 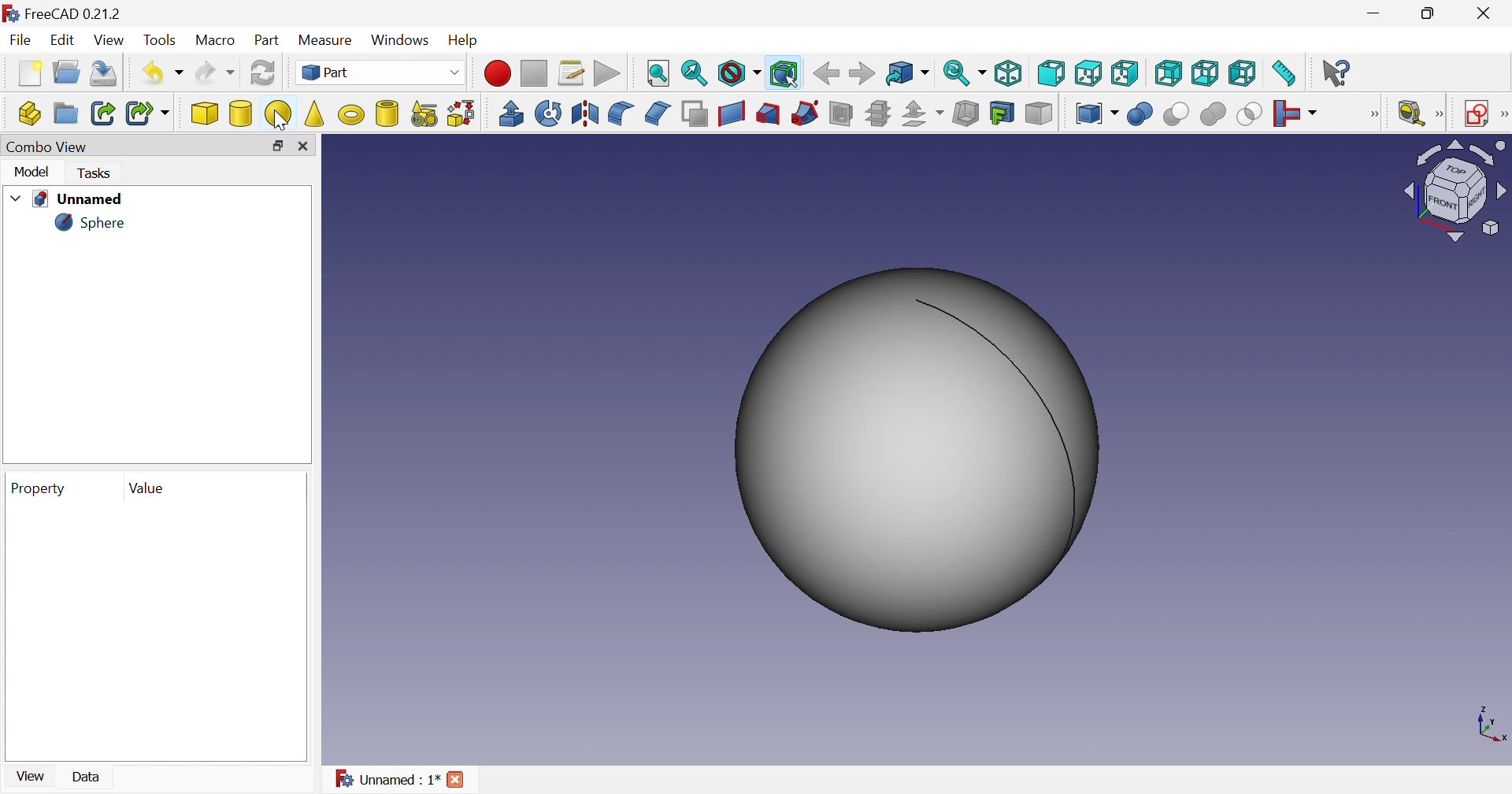 I want to click on Macro, so click(x=215, y=39).